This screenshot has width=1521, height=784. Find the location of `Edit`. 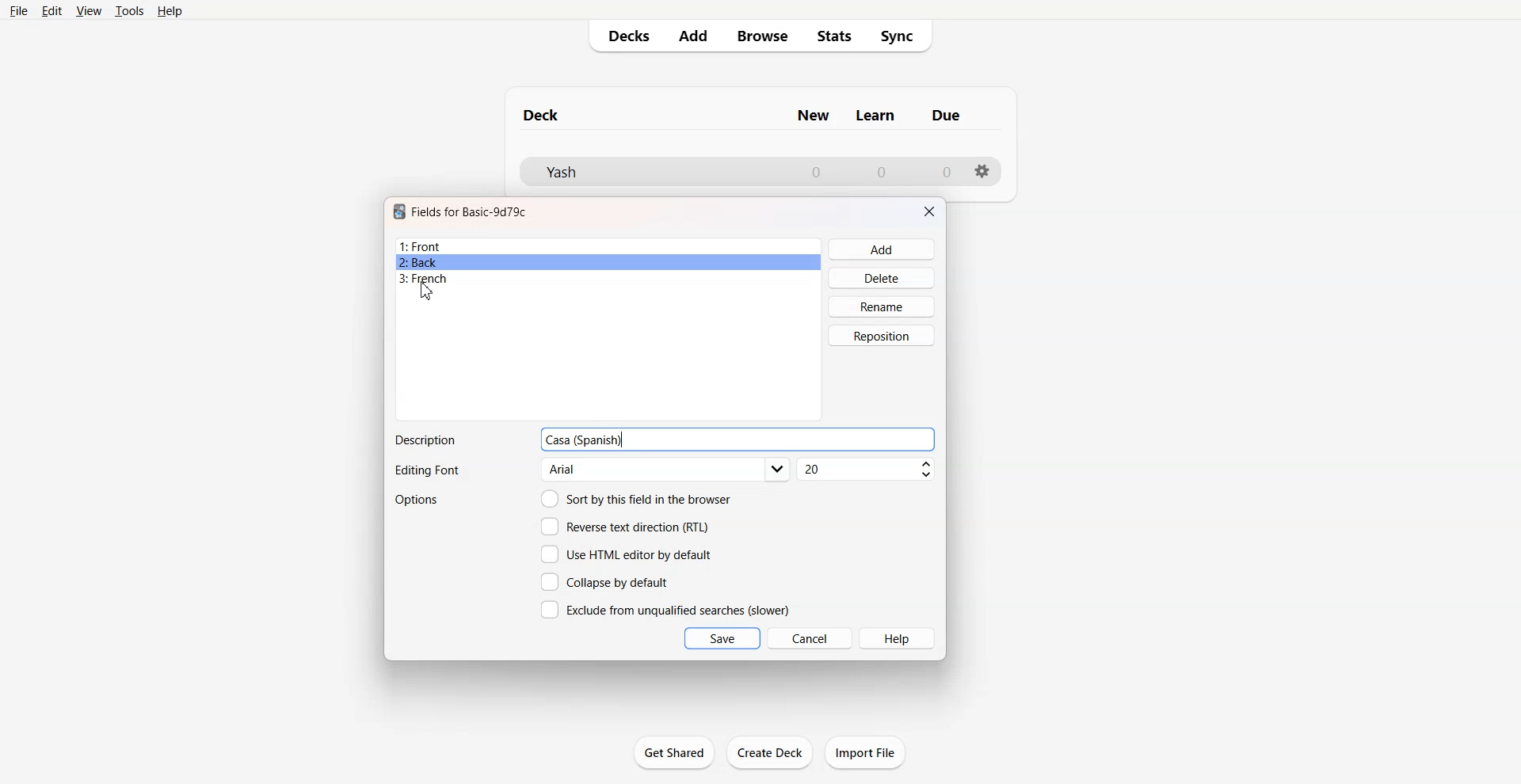

Edit is located at coordinates (51, 11).